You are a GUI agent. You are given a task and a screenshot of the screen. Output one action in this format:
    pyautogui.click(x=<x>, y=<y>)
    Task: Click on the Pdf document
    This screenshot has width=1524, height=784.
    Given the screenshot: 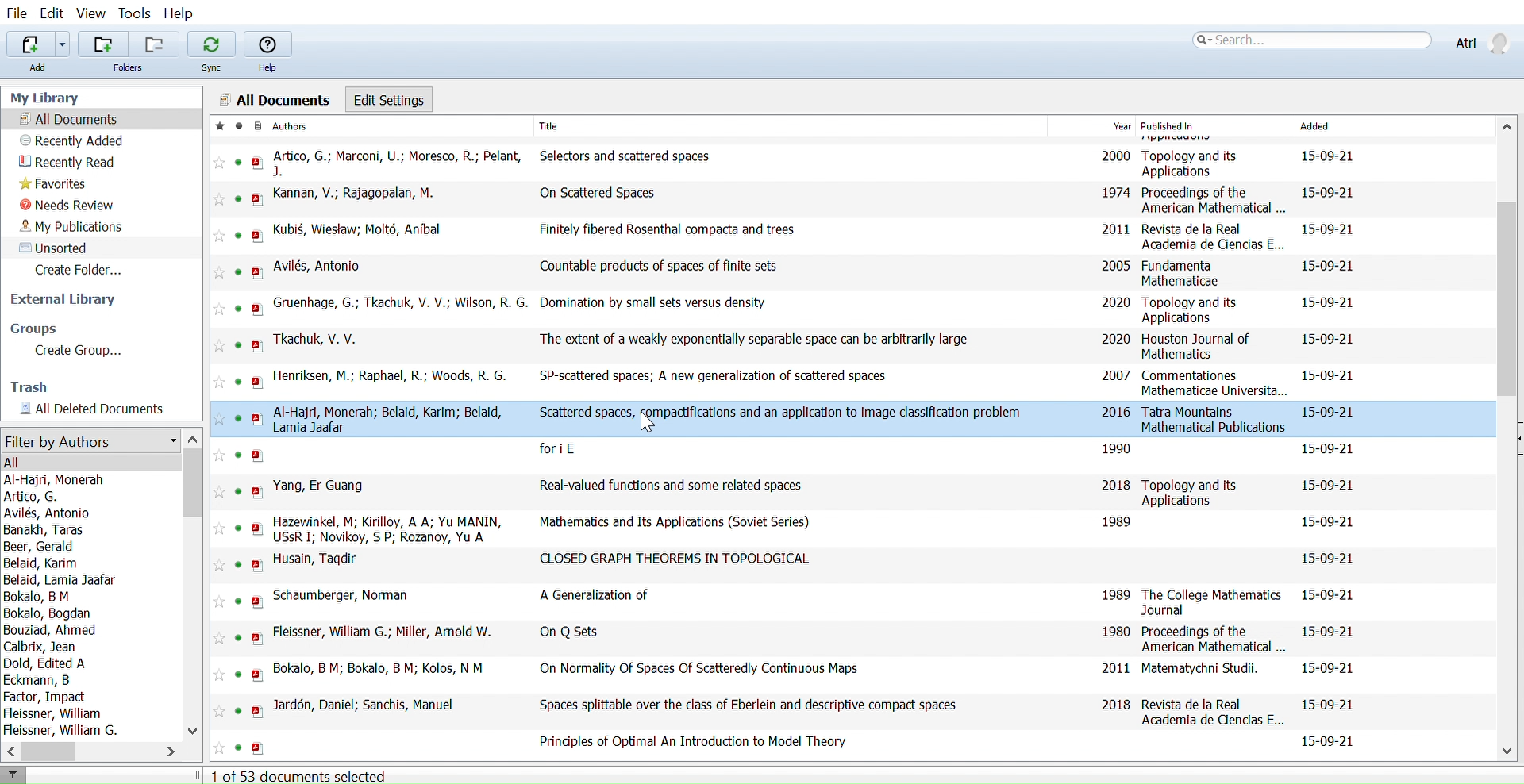 What is the action you would take?
    pyautogui.click(x=259, y=456)
    